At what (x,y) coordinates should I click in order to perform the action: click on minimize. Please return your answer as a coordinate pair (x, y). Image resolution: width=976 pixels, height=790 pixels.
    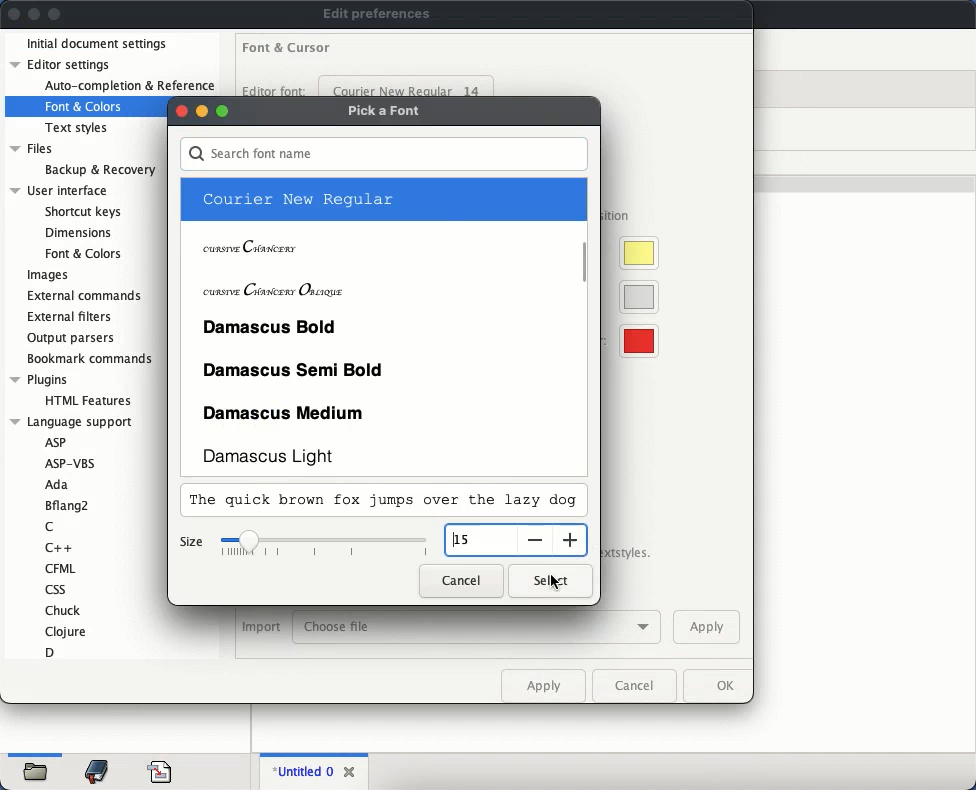
    Looking at the image, I should click on (35, 14).